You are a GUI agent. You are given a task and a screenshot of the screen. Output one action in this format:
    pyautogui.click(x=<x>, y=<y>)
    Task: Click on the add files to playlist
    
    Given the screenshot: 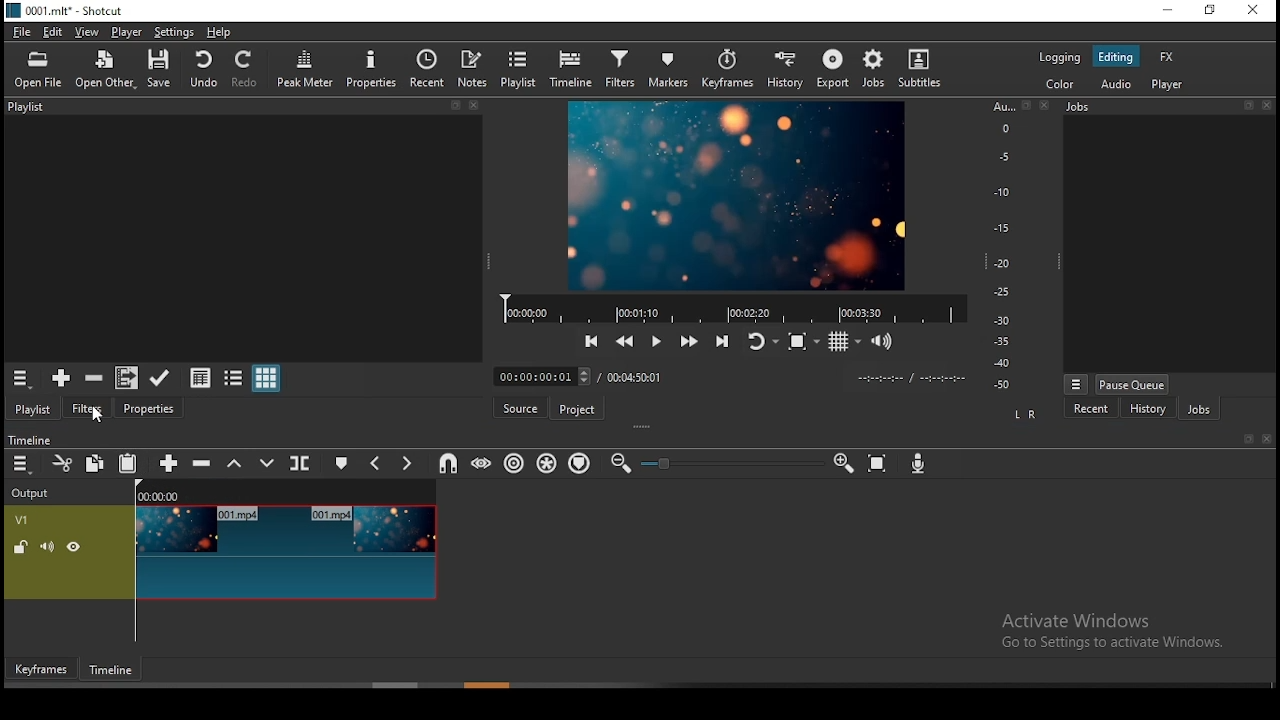 What is the action you would take?
    pyautogui.click(x=126, y=378)
    